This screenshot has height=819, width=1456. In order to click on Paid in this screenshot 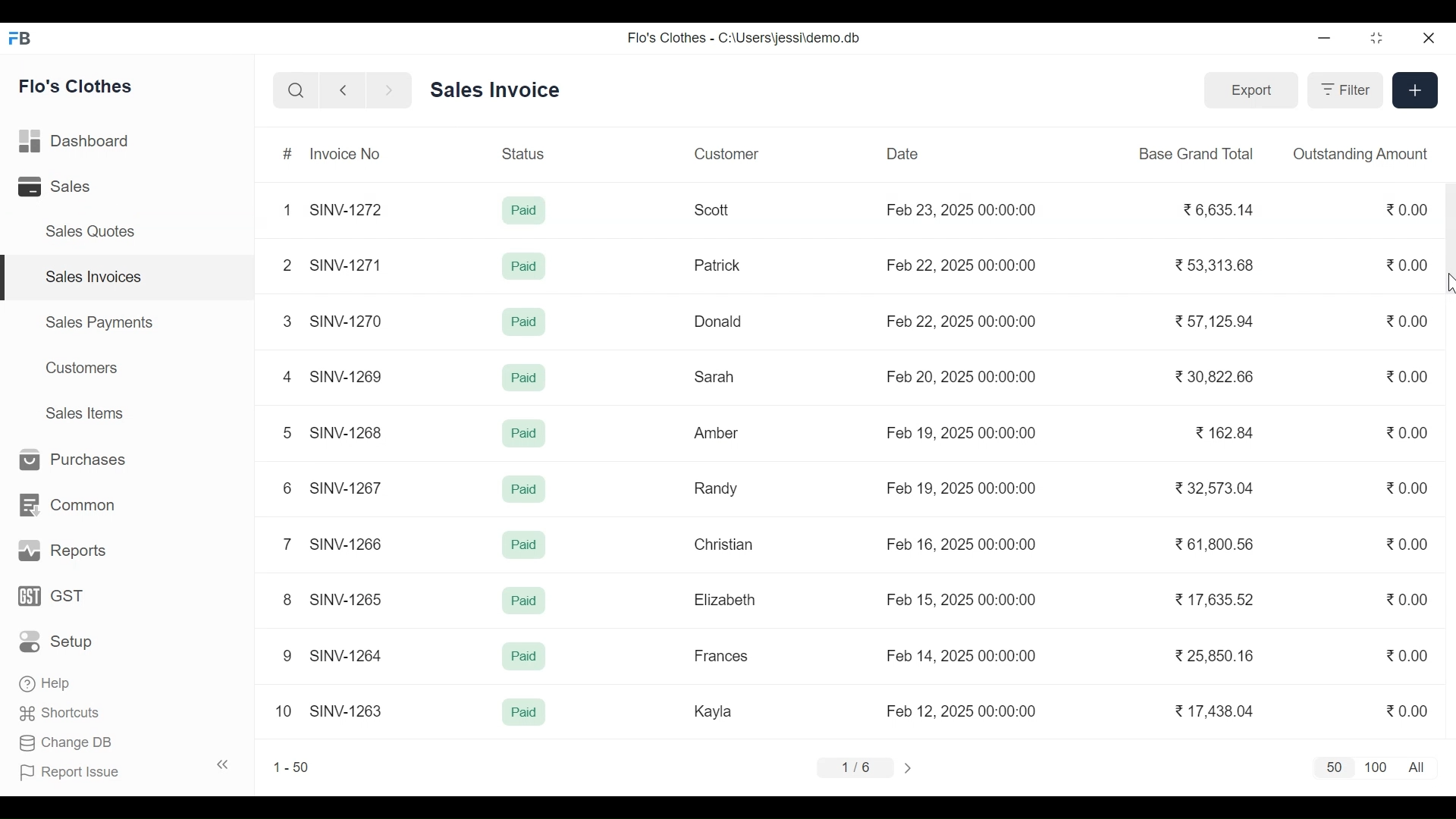, I will do `click(524, 544)`.